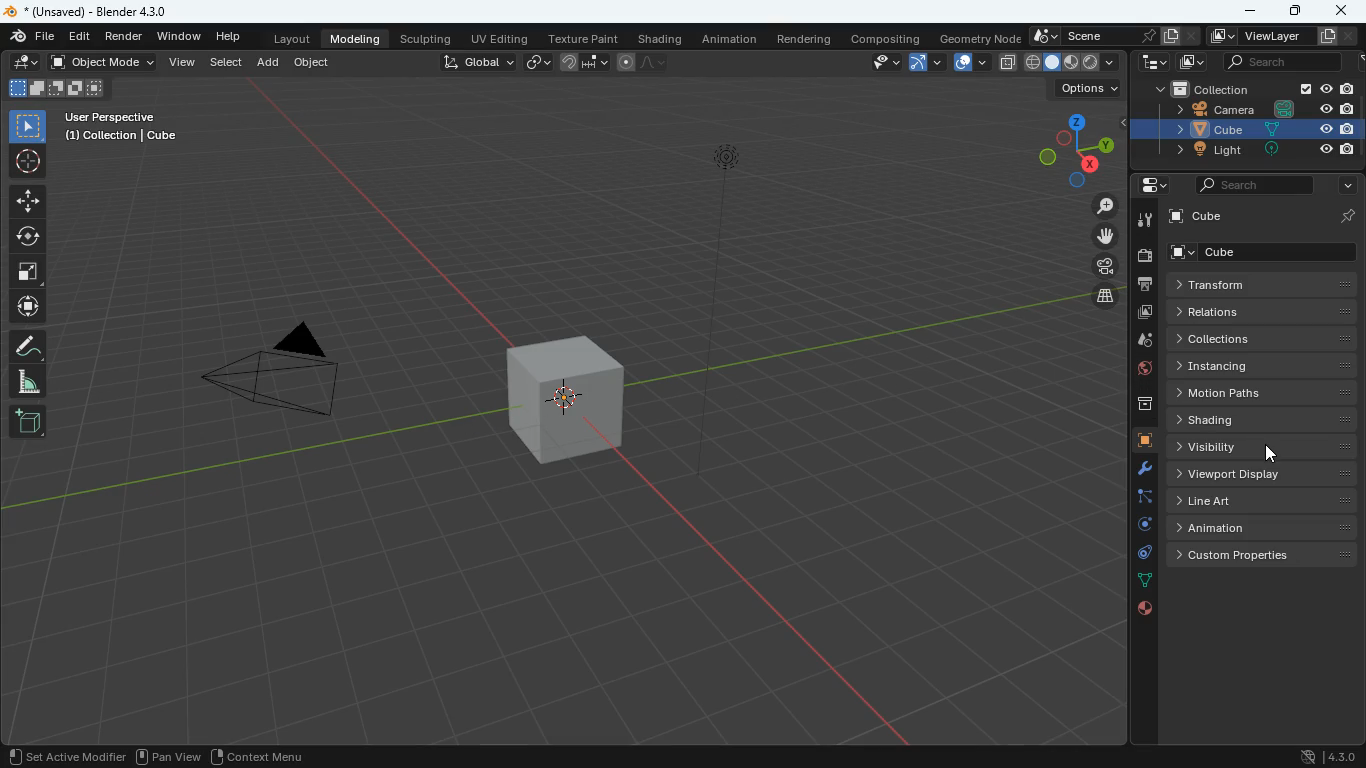  I want to click on more, so click(1343, 187).